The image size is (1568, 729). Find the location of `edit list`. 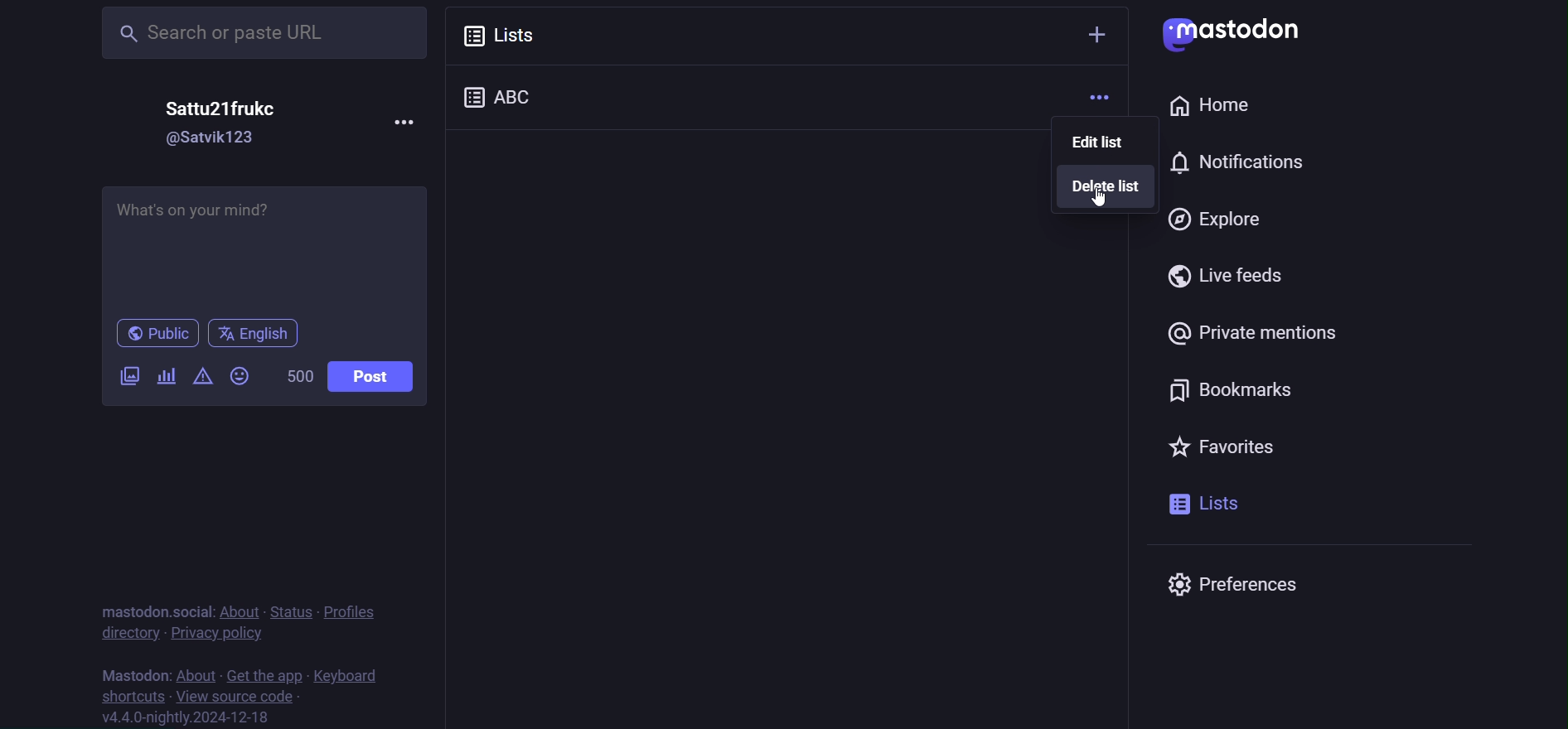

edit list is located at coordinates (1099, 142).